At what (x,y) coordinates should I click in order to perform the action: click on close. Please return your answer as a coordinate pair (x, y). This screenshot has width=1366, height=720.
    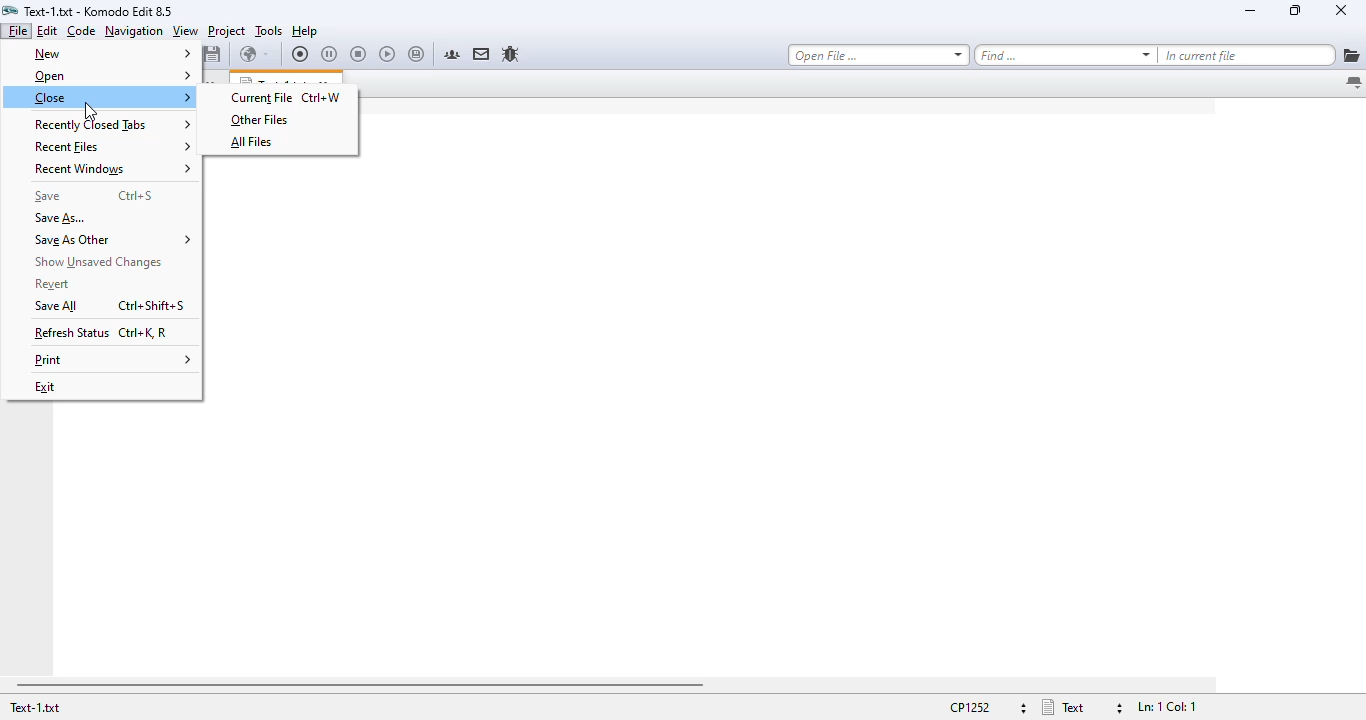
    Looking at the image, I should click on (1340, 10).